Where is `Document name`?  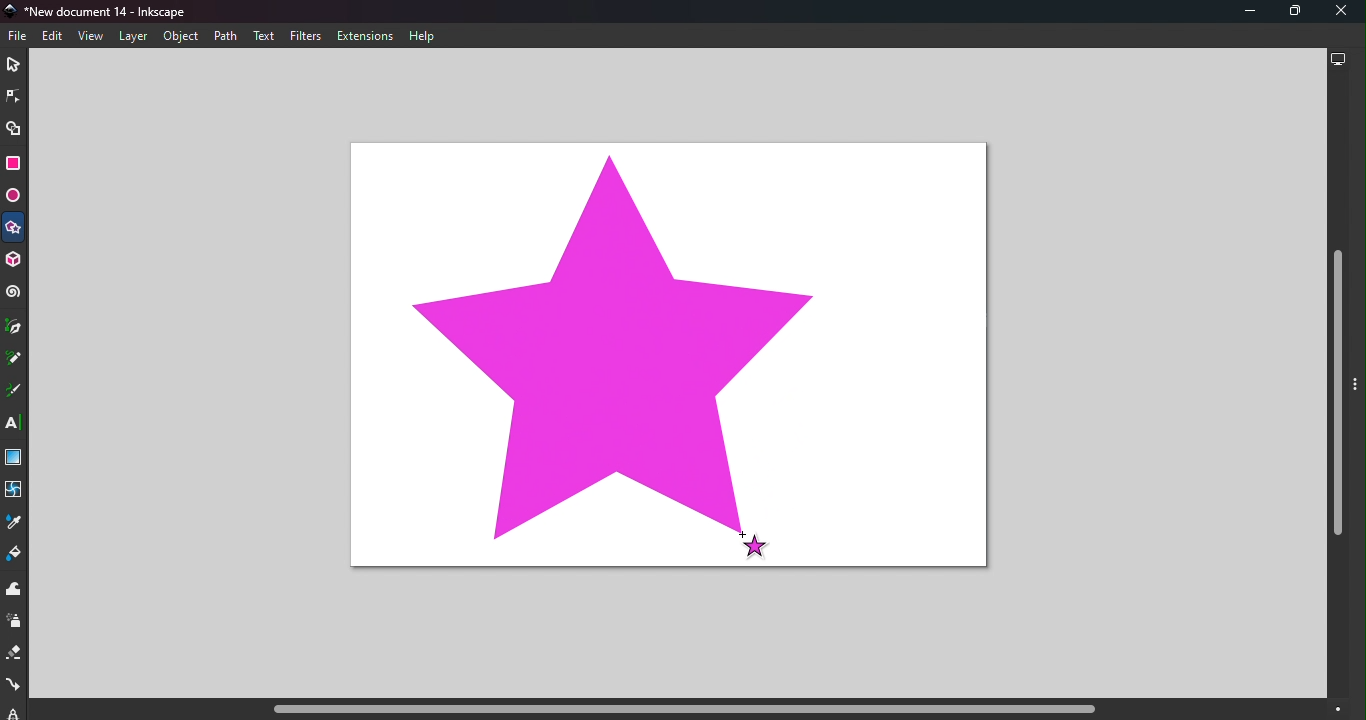
Document name is located at coordinates (104, 11).